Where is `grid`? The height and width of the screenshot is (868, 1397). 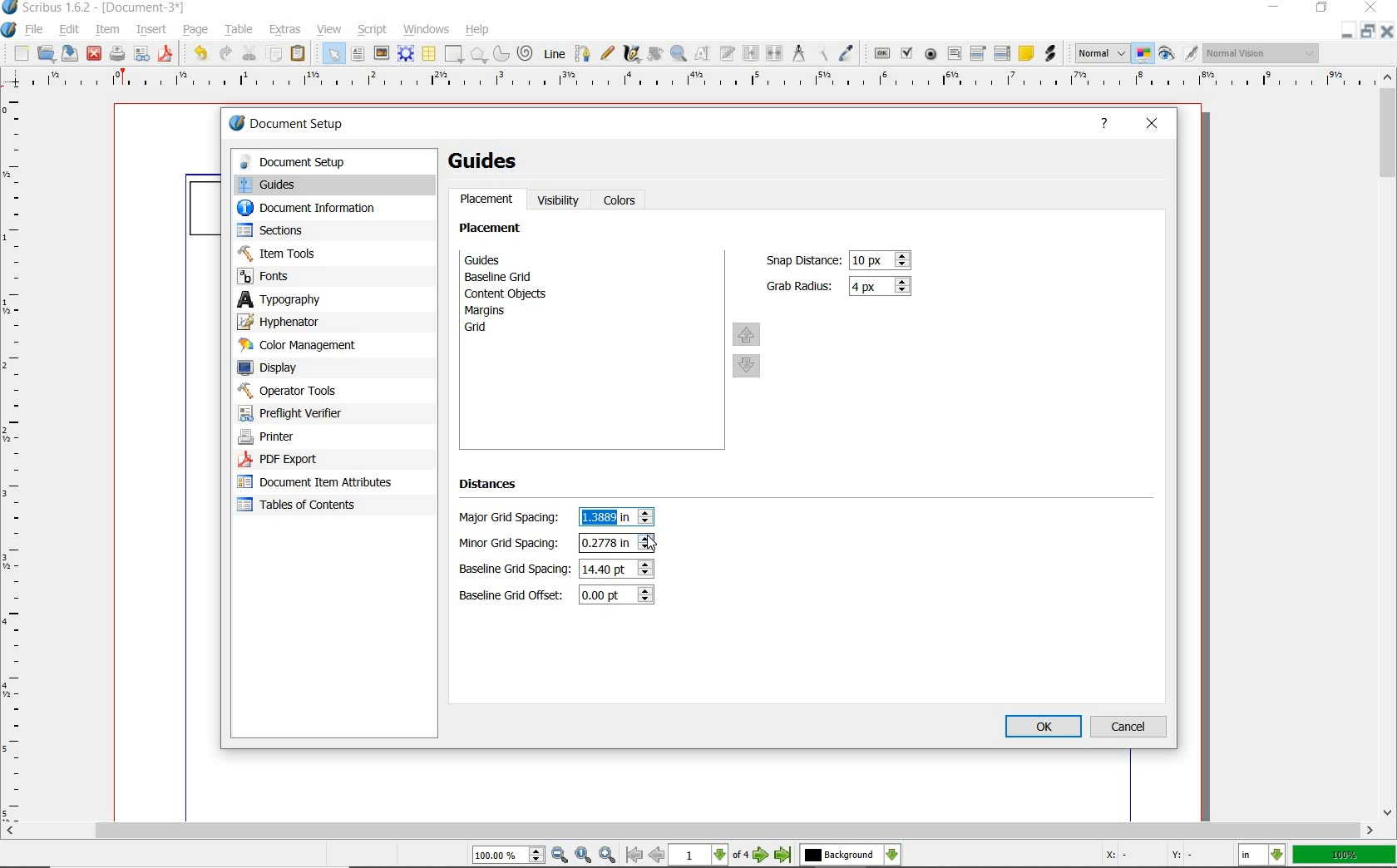
grid is located at coordinates (498, 329).